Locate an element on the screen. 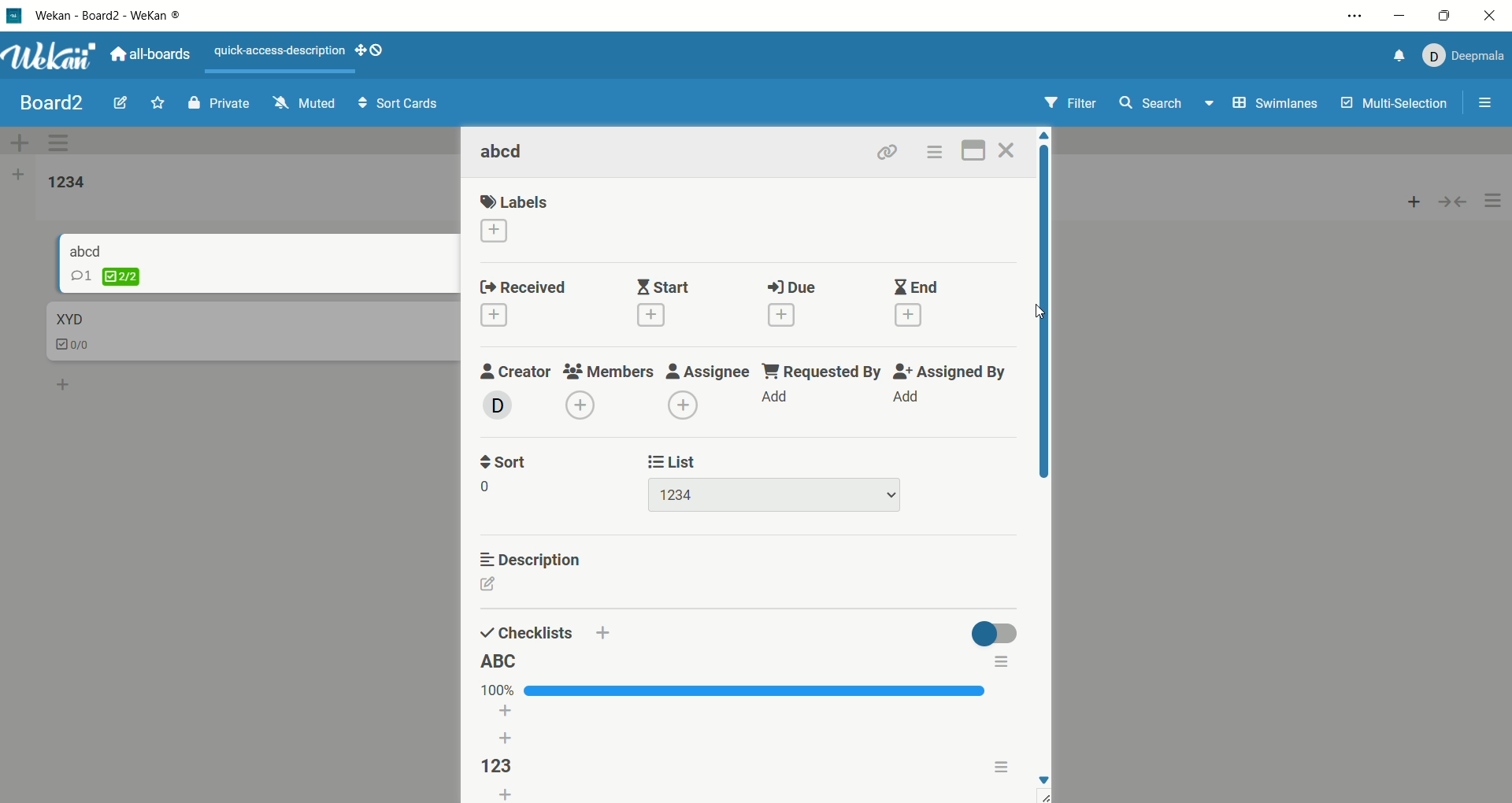 This screenshot has width=1512, height=803. list is located at coordinates (776, 495).